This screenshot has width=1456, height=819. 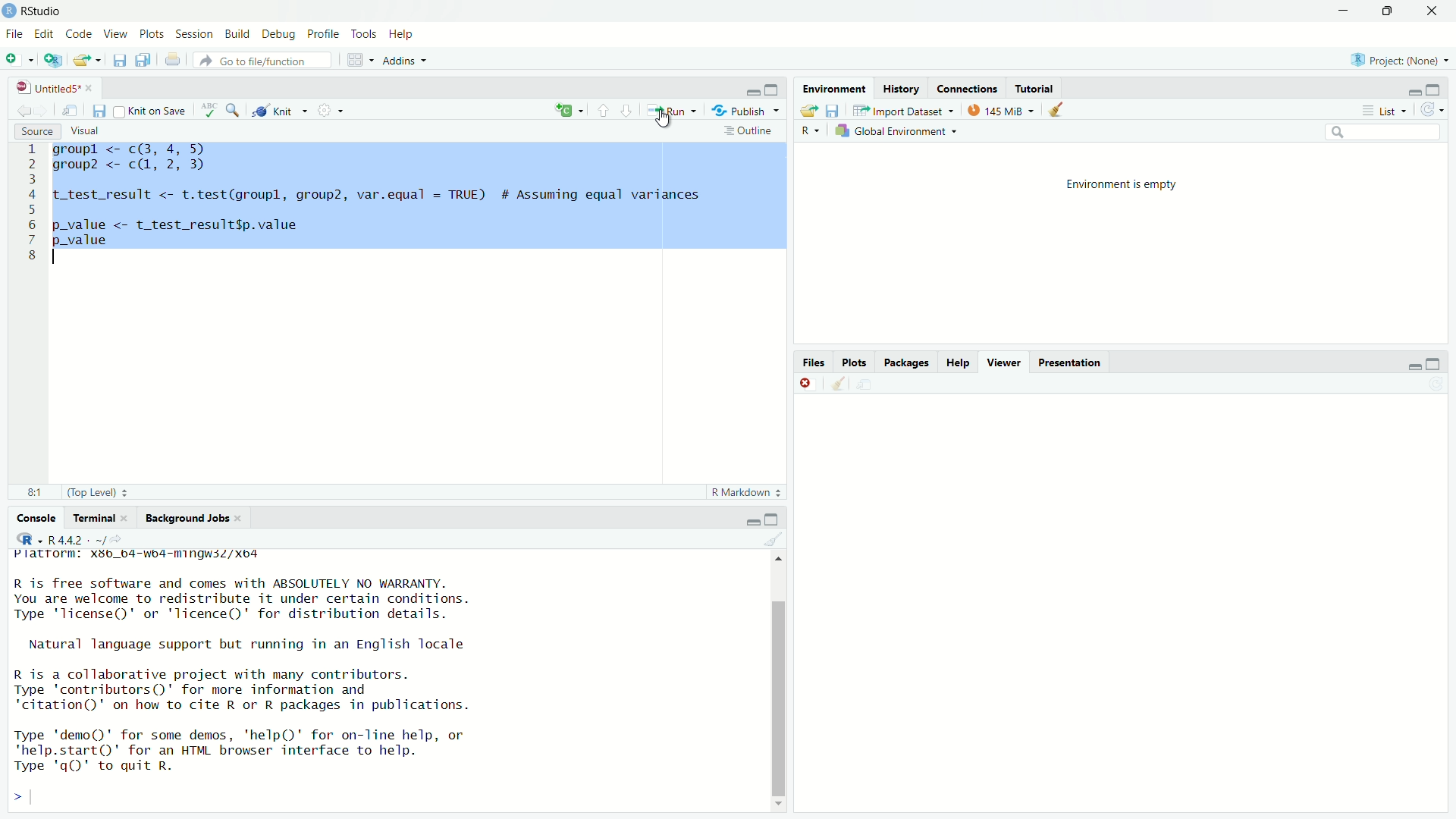 I want to click on Viewer, so click(x=1003, y=362).